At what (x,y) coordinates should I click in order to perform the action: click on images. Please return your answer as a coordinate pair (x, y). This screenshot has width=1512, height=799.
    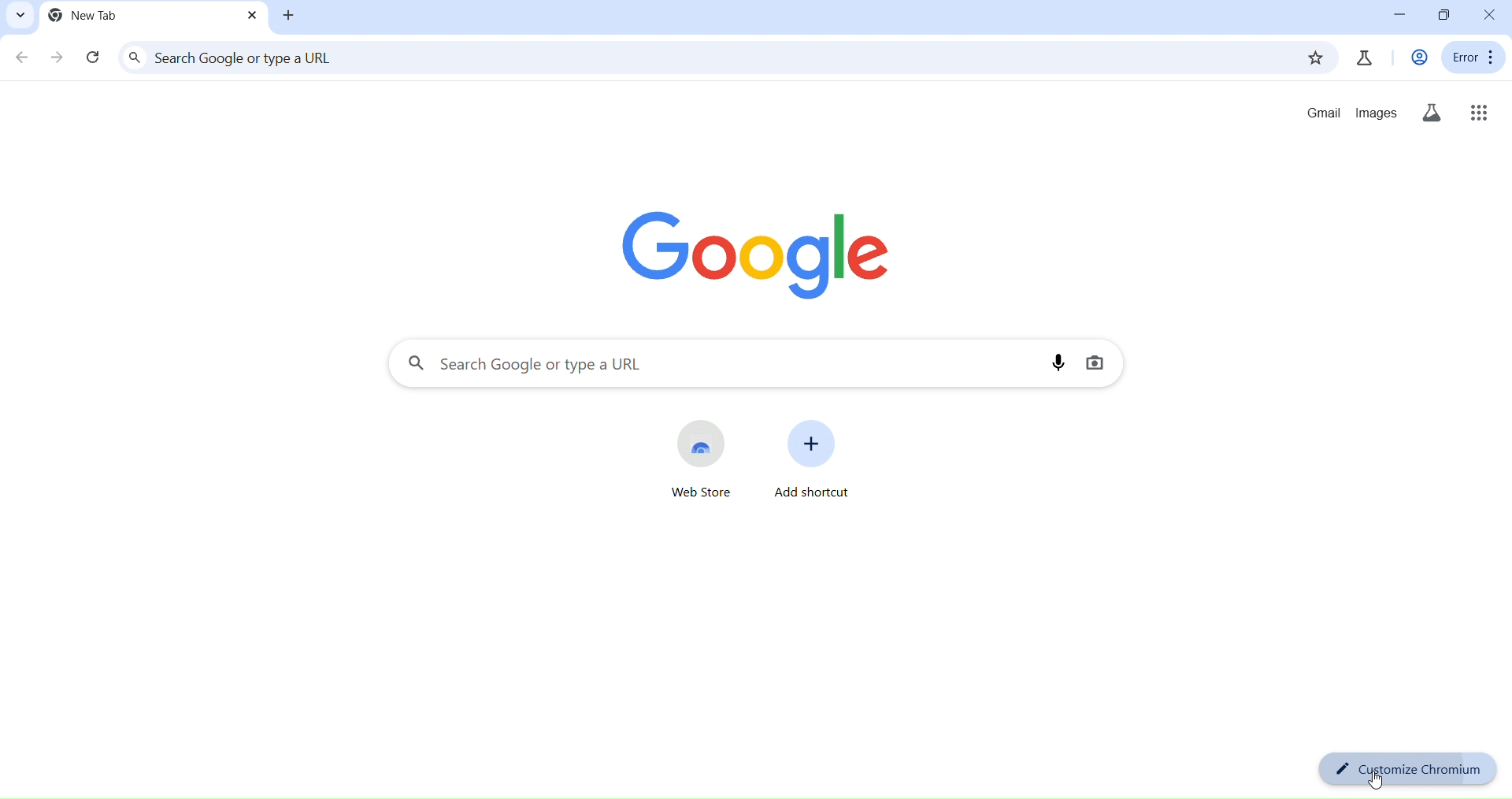
    Looking at the image, I should click on (1375, 113).